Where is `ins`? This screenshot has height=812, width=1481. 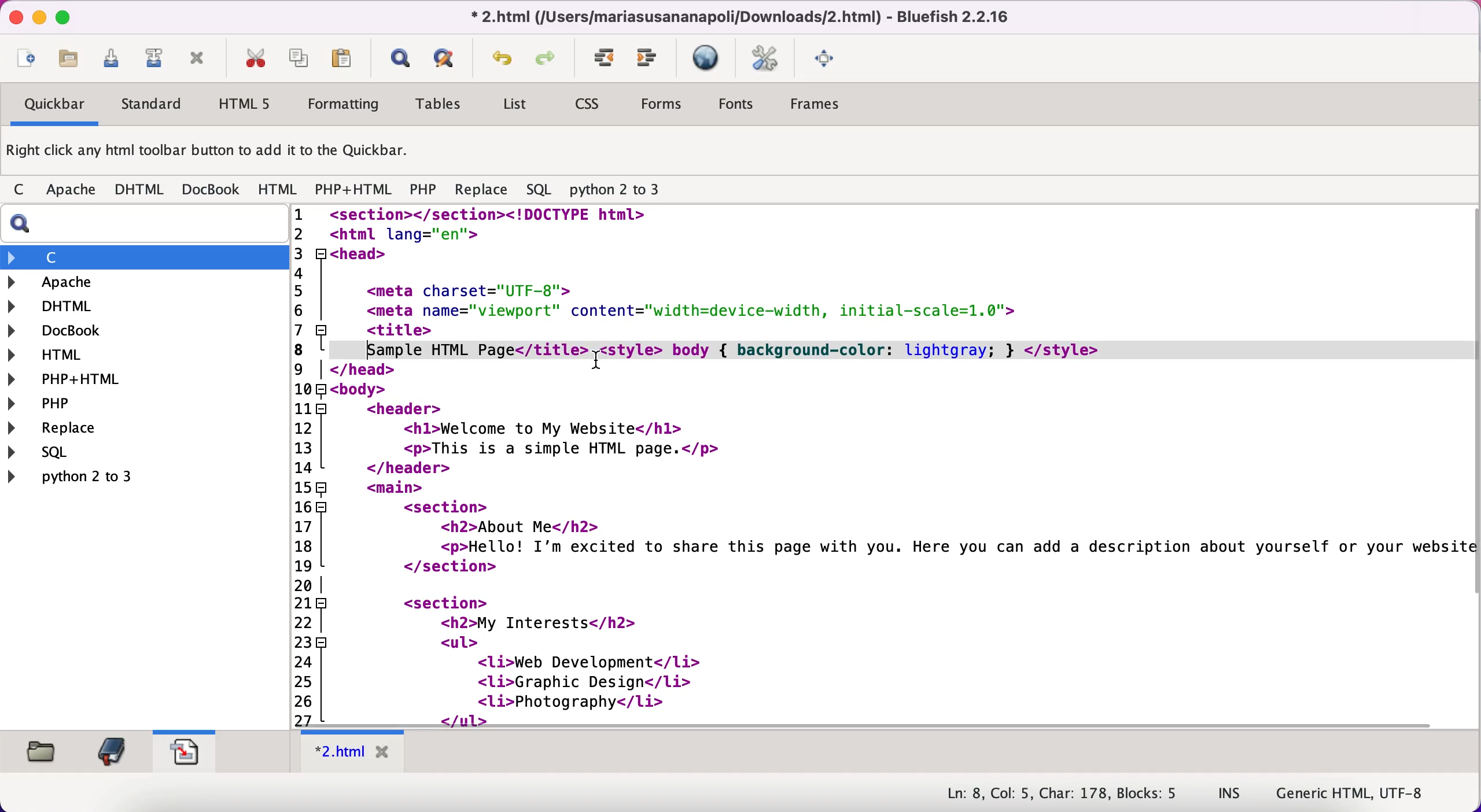 ins is located at coordinates (1230, 794).